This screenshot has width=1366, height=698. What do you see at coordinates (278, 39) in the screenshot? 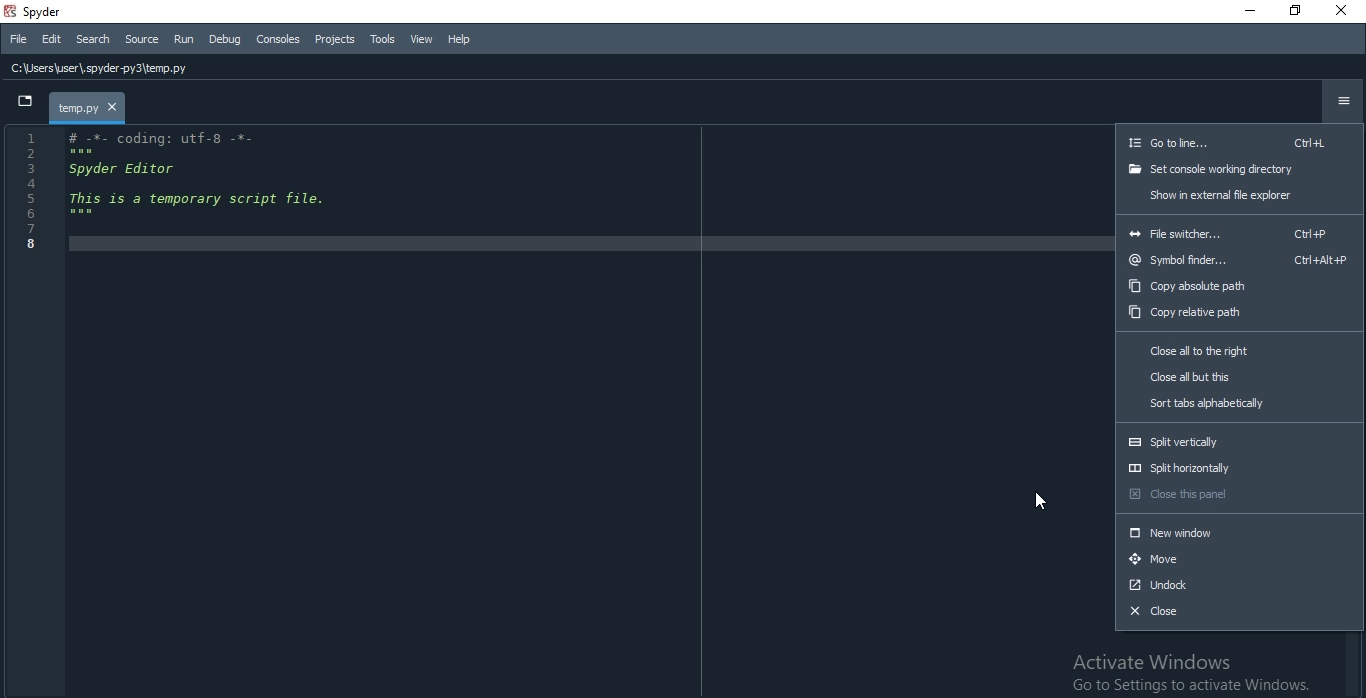
I see `Consoles` at bounding box center [278, 39].